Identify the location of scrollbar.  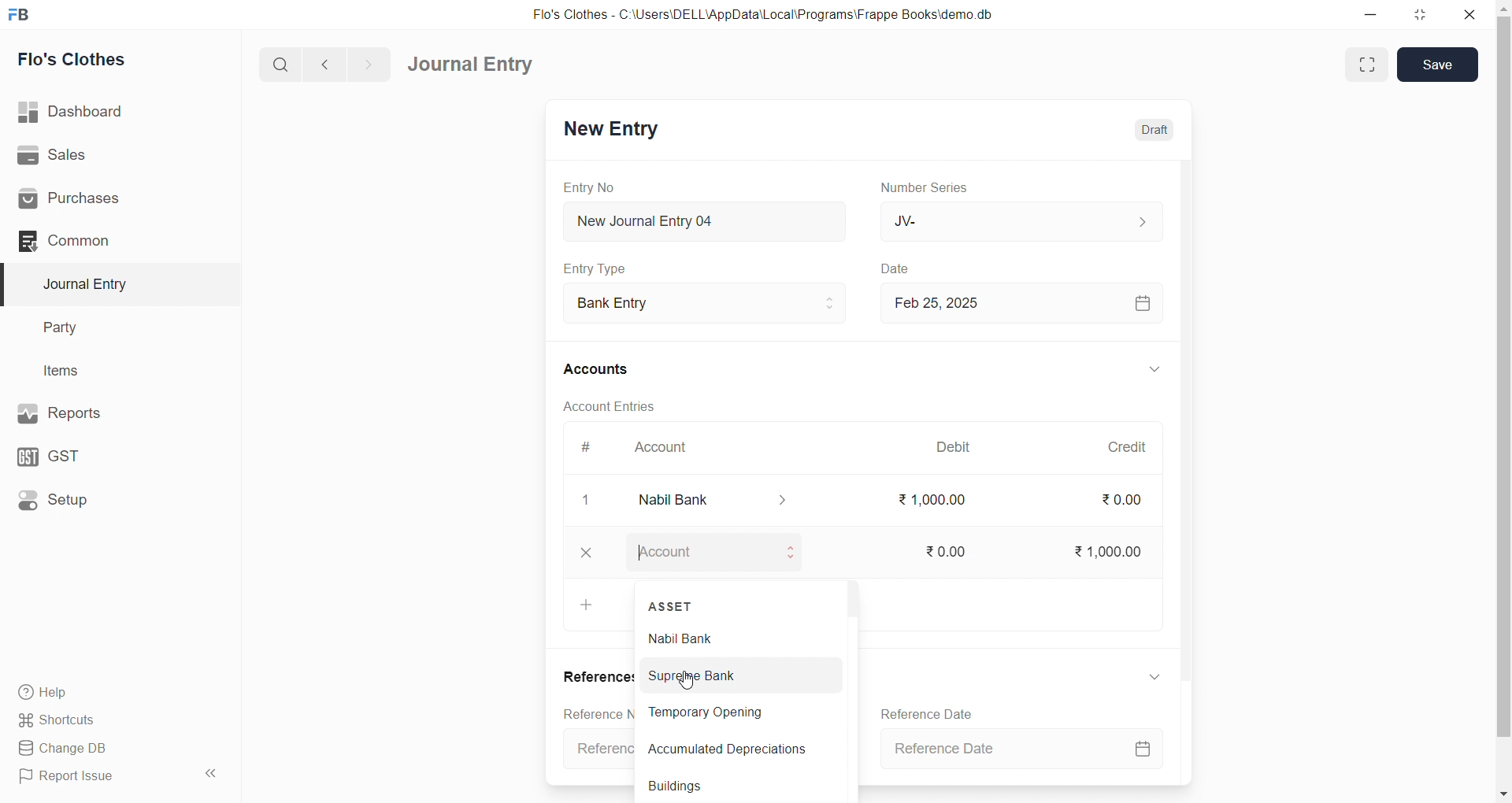
(850, 660).